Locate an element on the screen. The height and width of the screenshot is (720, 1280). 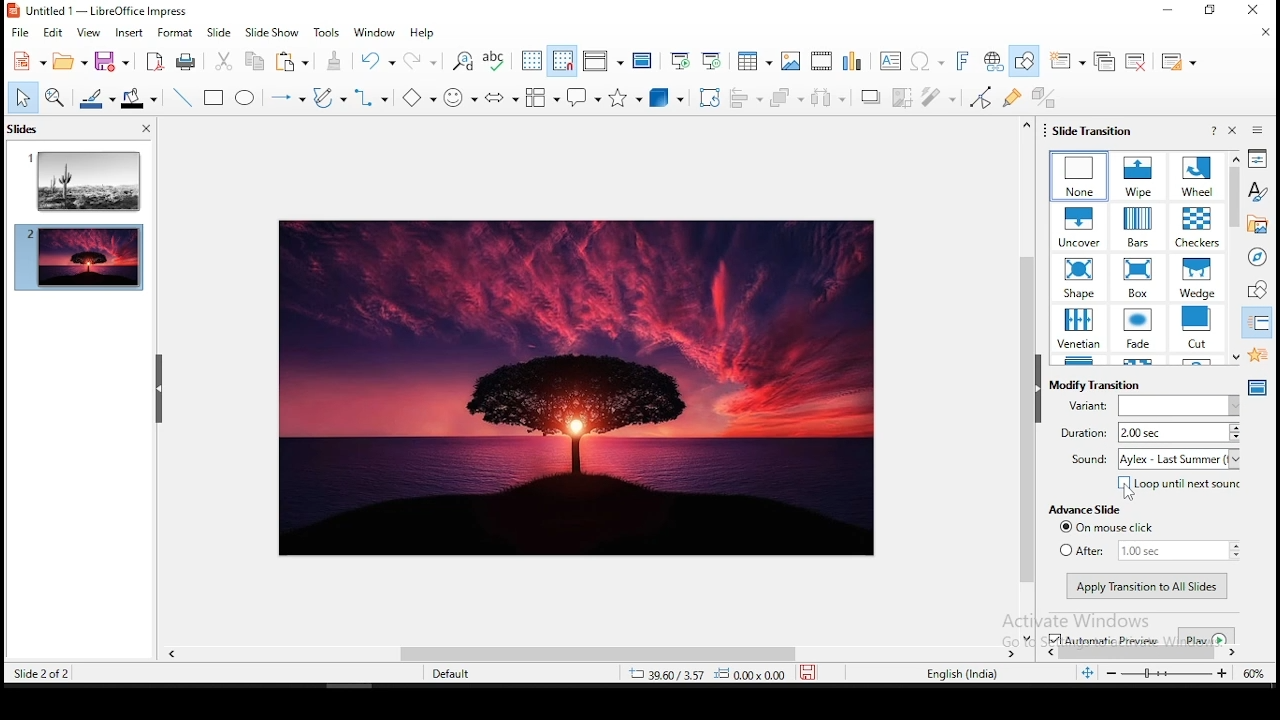
mouse pointer is located at coordinates (1128, 493).